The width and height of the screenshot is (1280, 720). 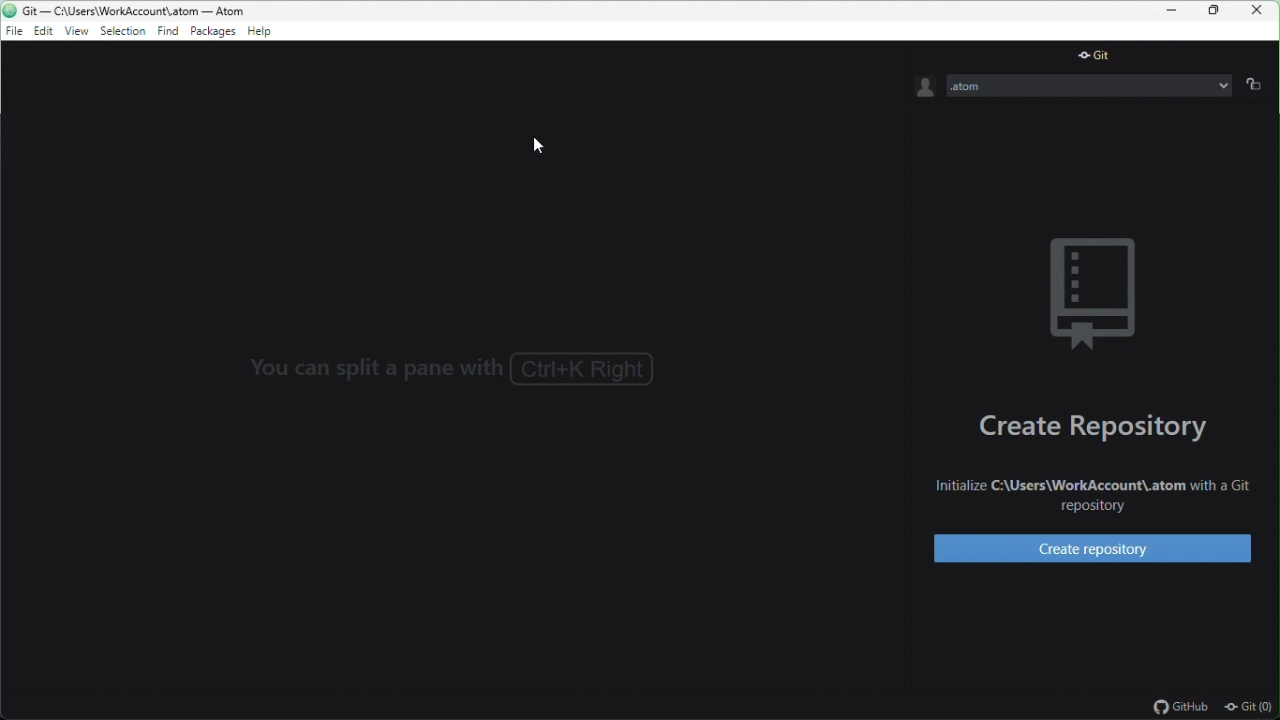 What do you see at coordinates (539, 145) in the screenshot?
I see `cursor` at bounding box center [539, 145].